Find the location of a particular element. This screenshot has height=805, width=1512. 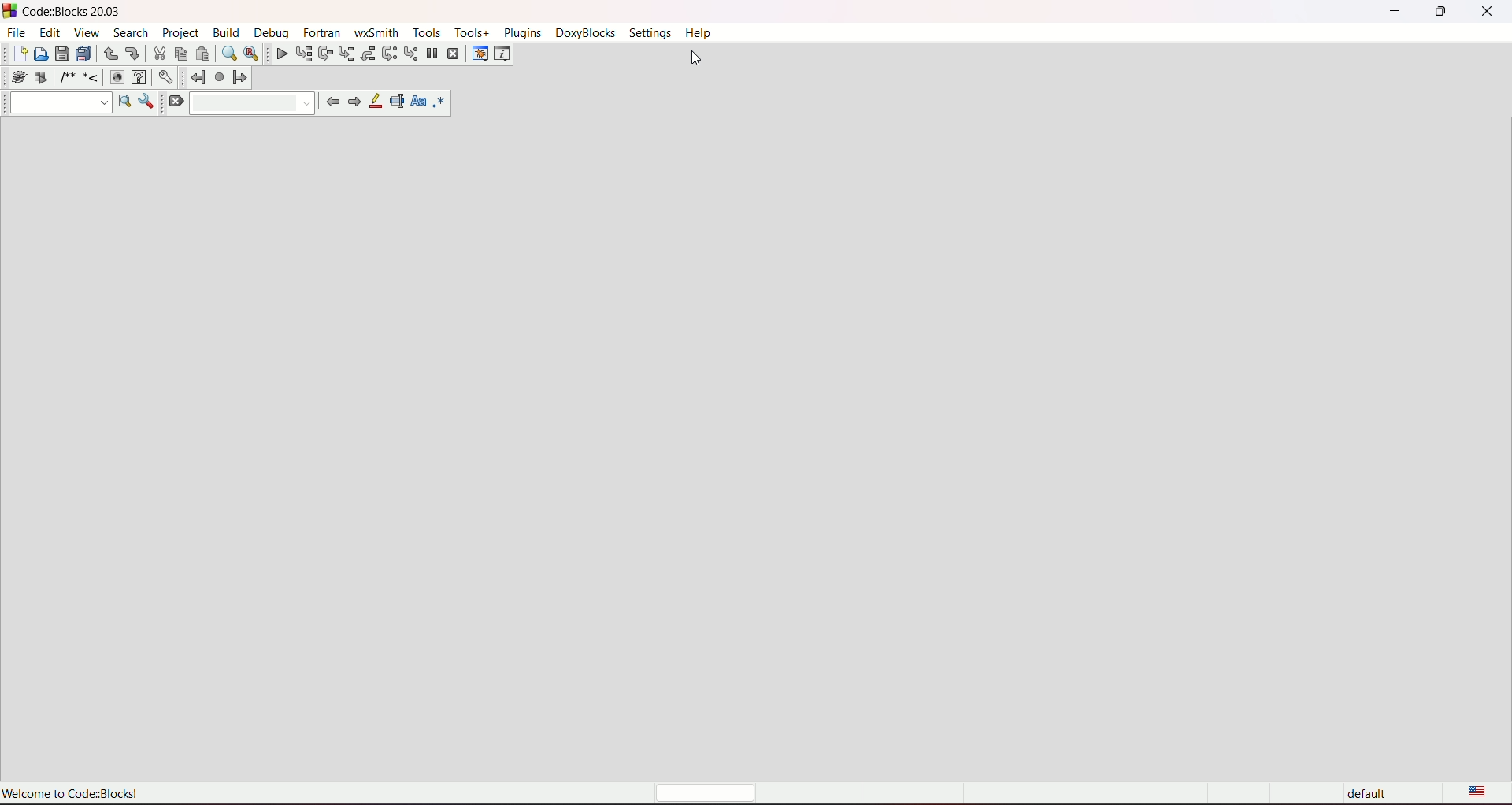

tools is located at coordinates (426, 32).